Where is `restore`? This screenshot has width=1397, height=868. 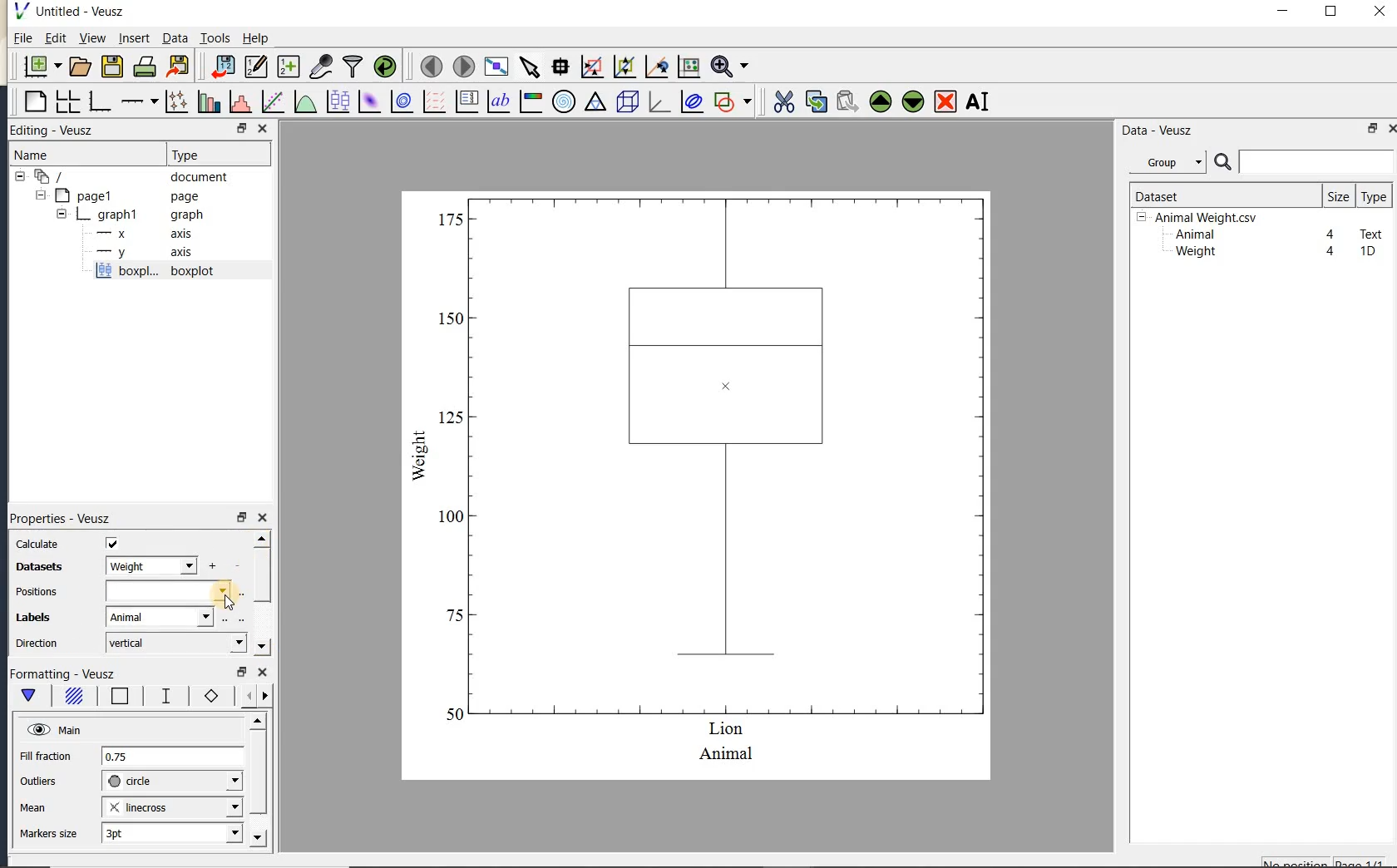
restore is located at coordinates (1374, 128).